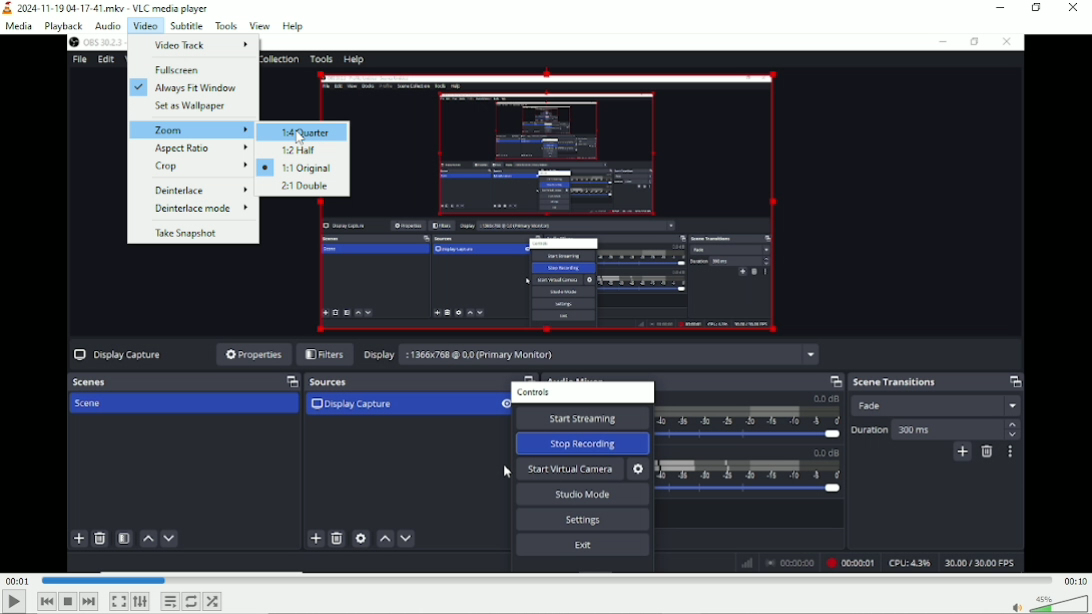  What do you see at coordinates (145, 26) in the screenshot?
I see `Video` at bounding box center [145, 26].